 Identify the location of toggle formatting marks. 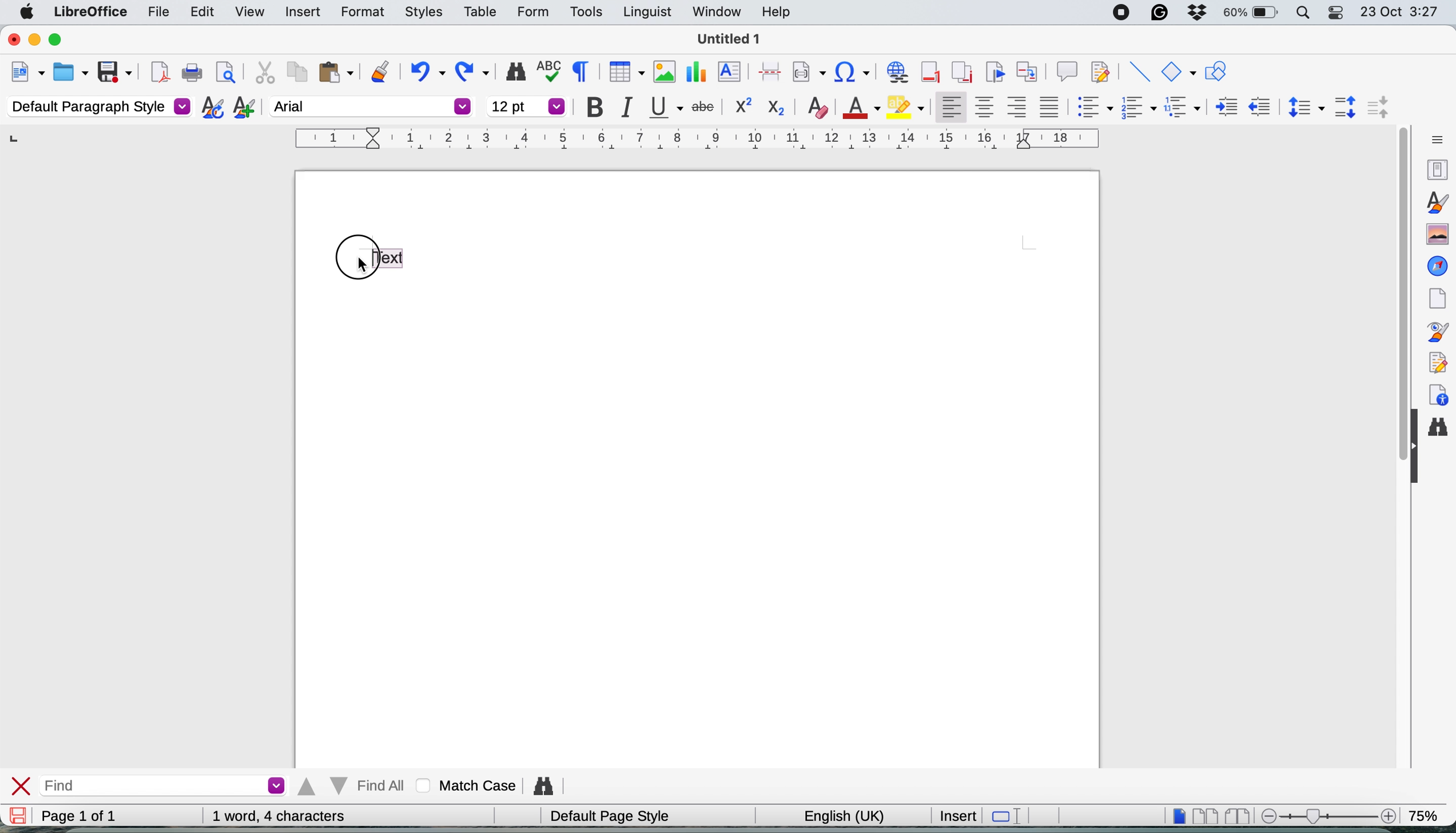
(579, 72).